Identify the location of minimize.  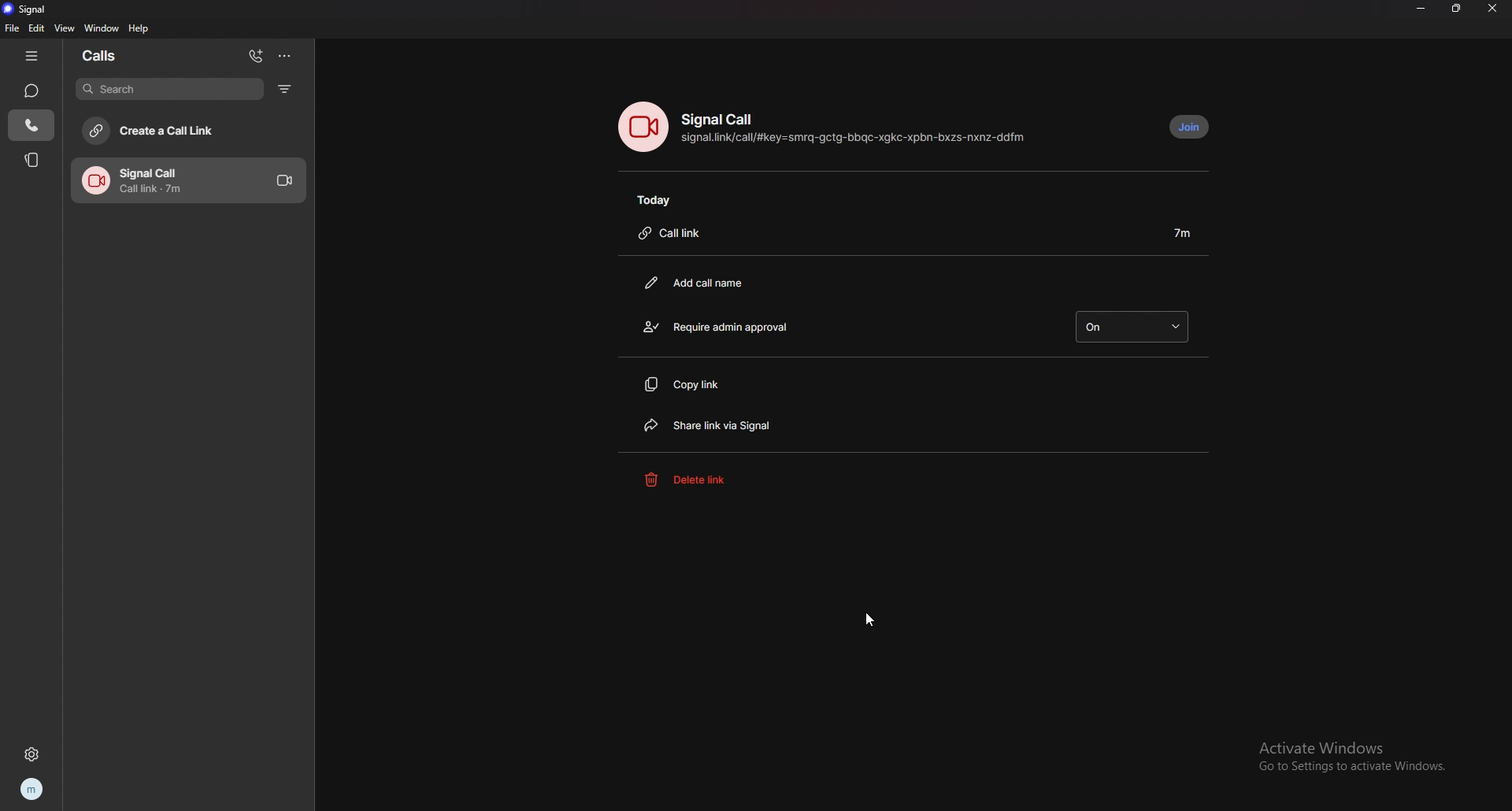
(1421, 9).